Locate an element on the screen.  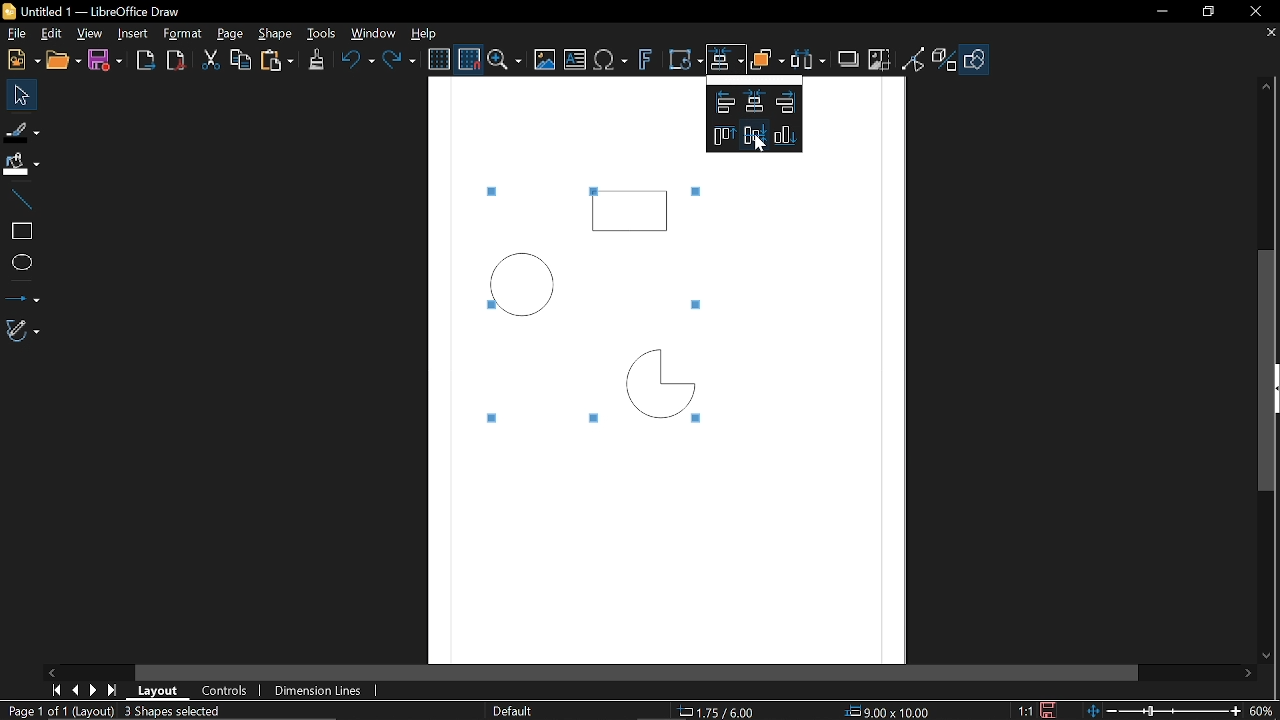
Crop is located at coordinates (878, 60).